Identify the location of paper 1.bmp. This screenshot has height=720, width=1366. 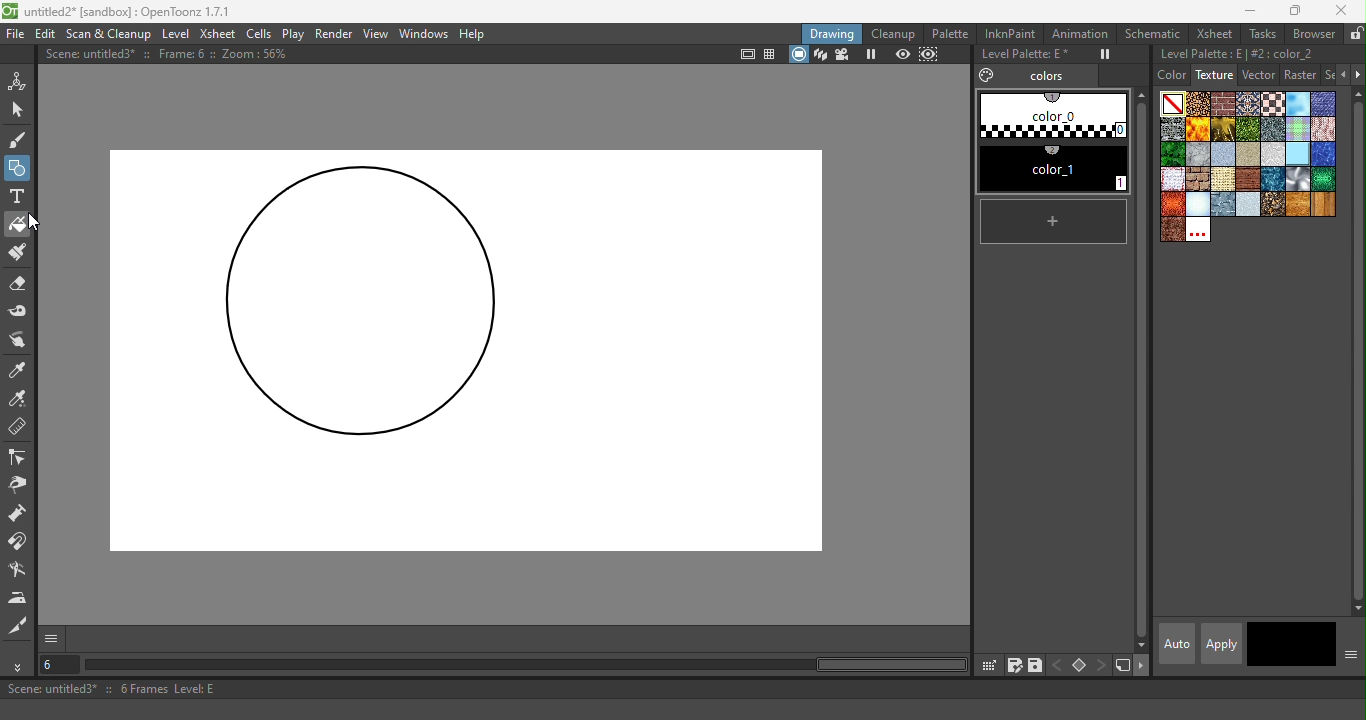
(1225, 154).